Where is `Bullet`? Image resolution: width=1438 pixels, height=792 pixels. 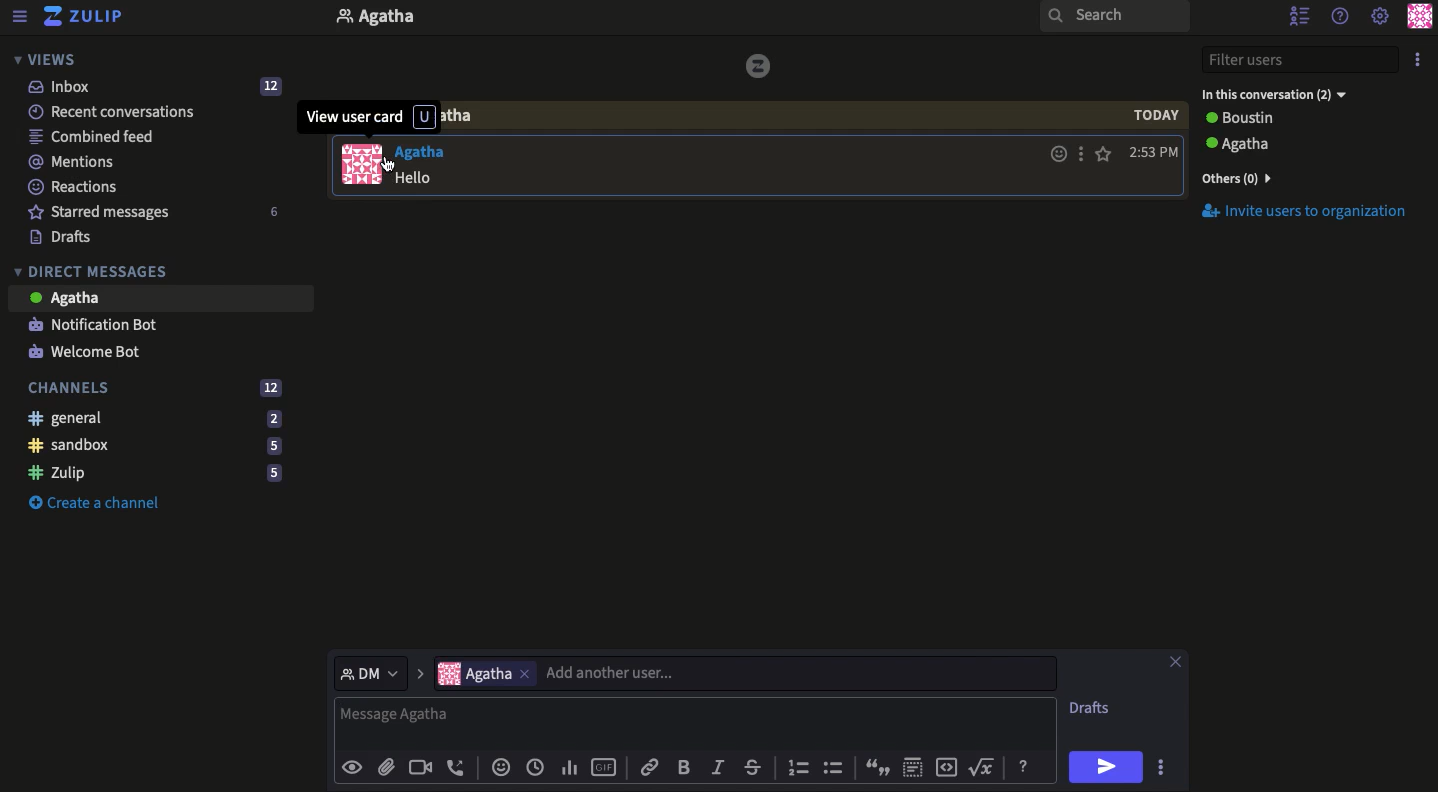 Bullet is located at coordinates (836, 767).